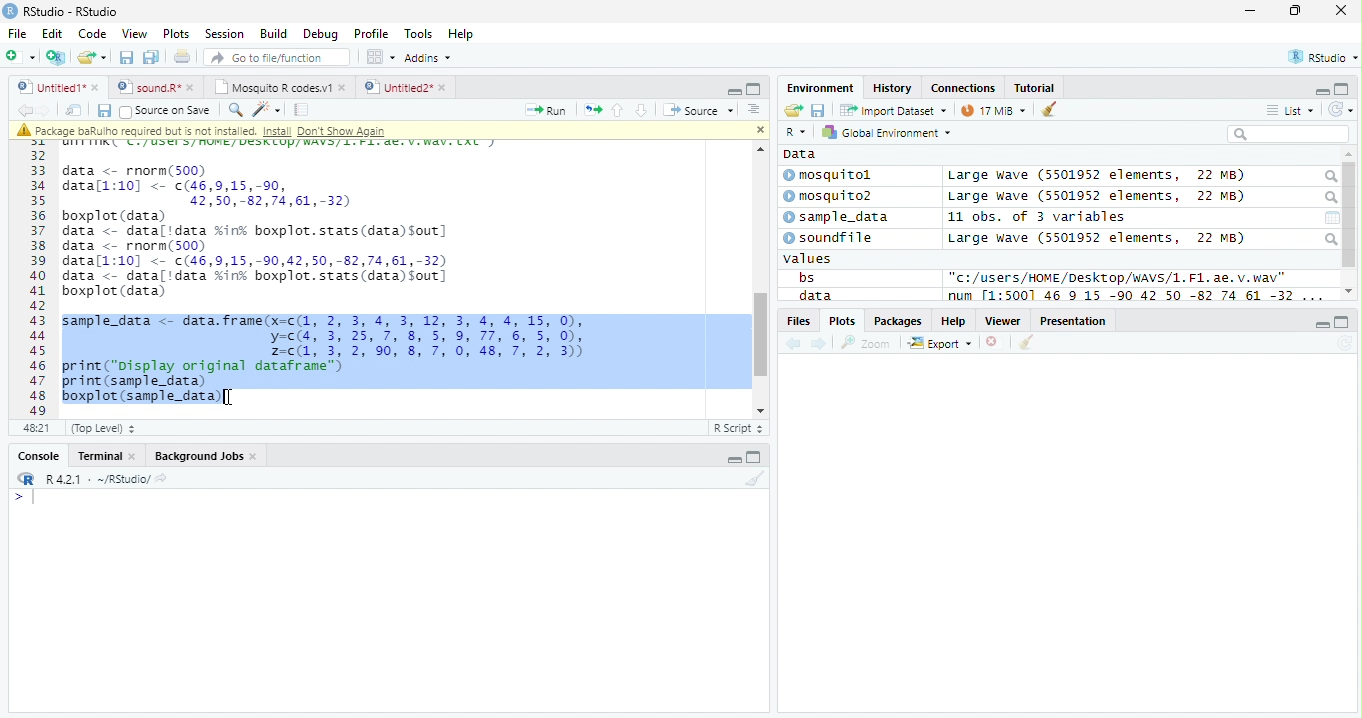 This screenshot has width=1362, height=718. Describe the element at coordinates (1343, 322) in the screenshot. I see `full screen` at that location.